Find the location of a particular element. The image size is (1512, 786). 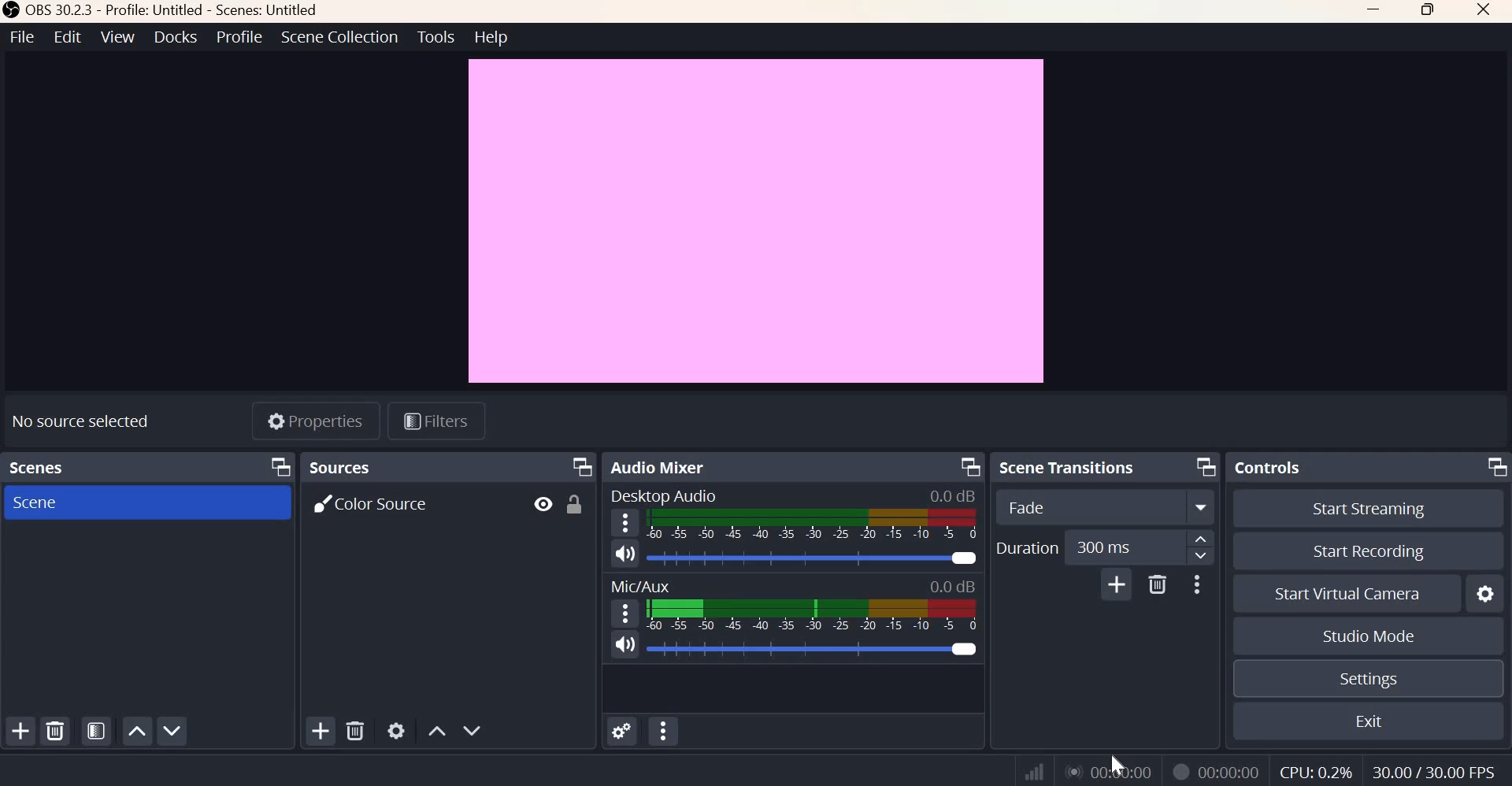

Open scene filters is located at coordinates (96, 730).